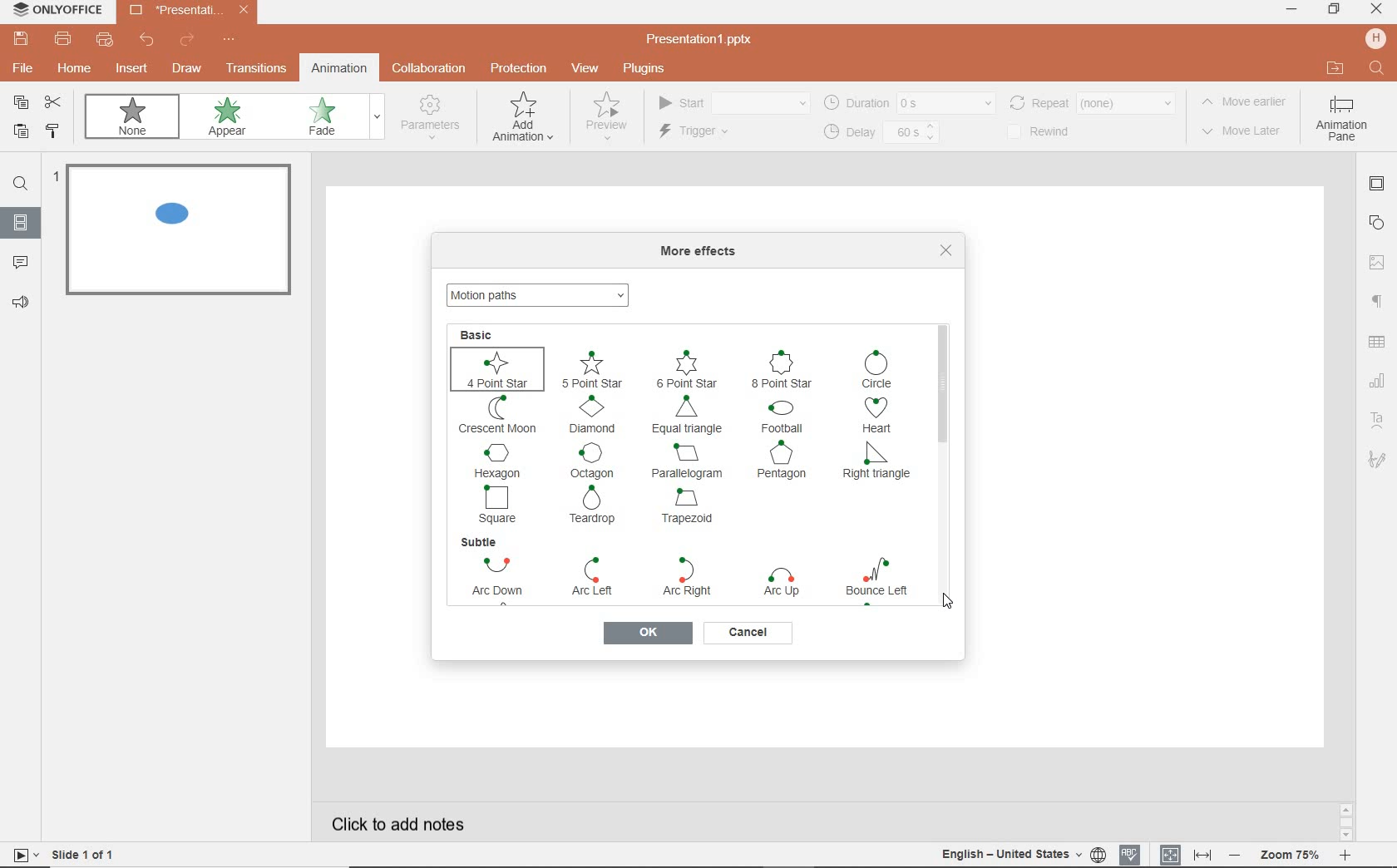 The image size is (1397, 868). What do you see at coordinates (136, 120) in the screenshot?
I see `none` at bounding box center [136, 120].